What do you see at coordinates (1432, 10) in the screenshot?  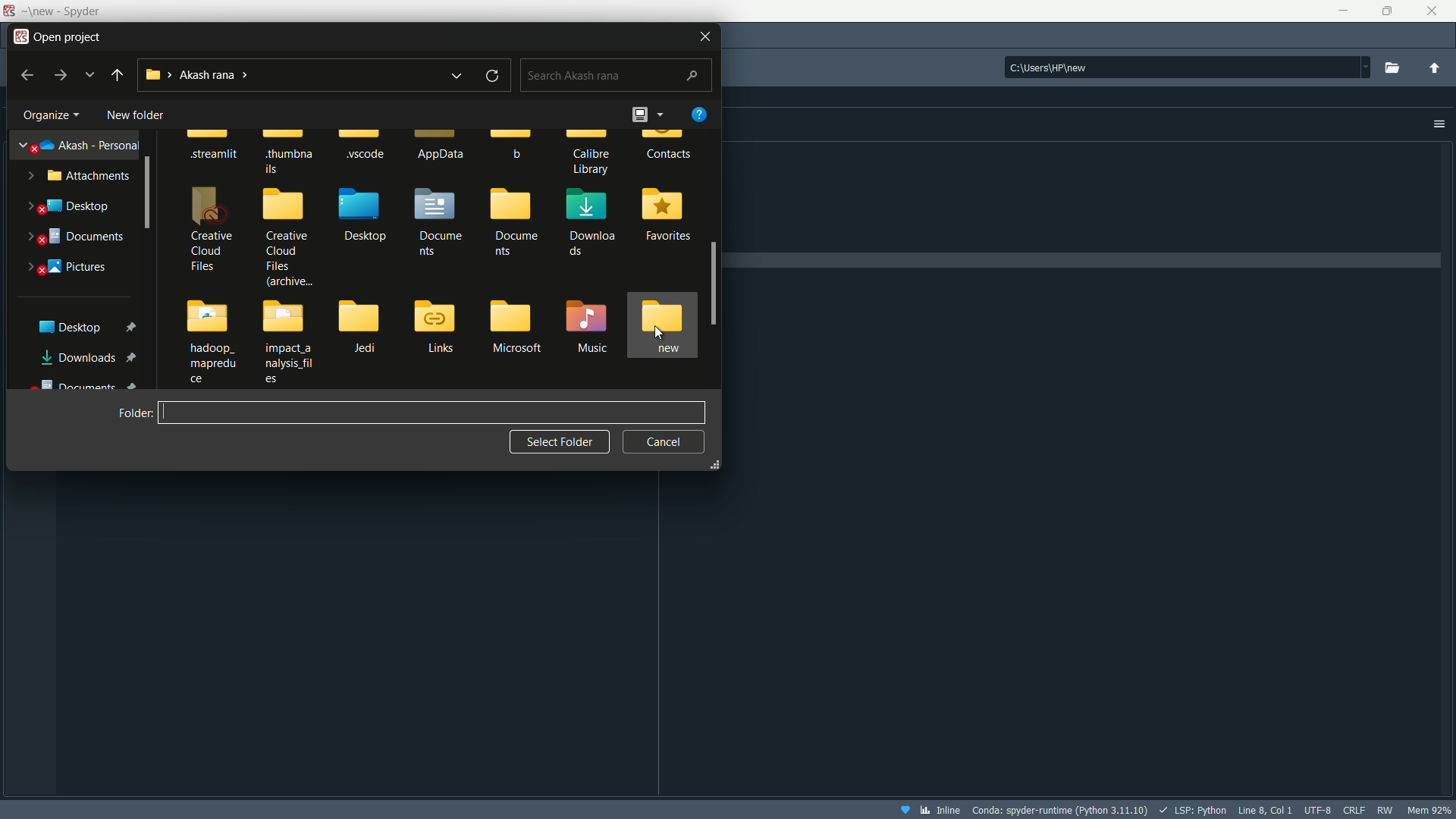 I see `close ` at bounding box center [1432, 10].